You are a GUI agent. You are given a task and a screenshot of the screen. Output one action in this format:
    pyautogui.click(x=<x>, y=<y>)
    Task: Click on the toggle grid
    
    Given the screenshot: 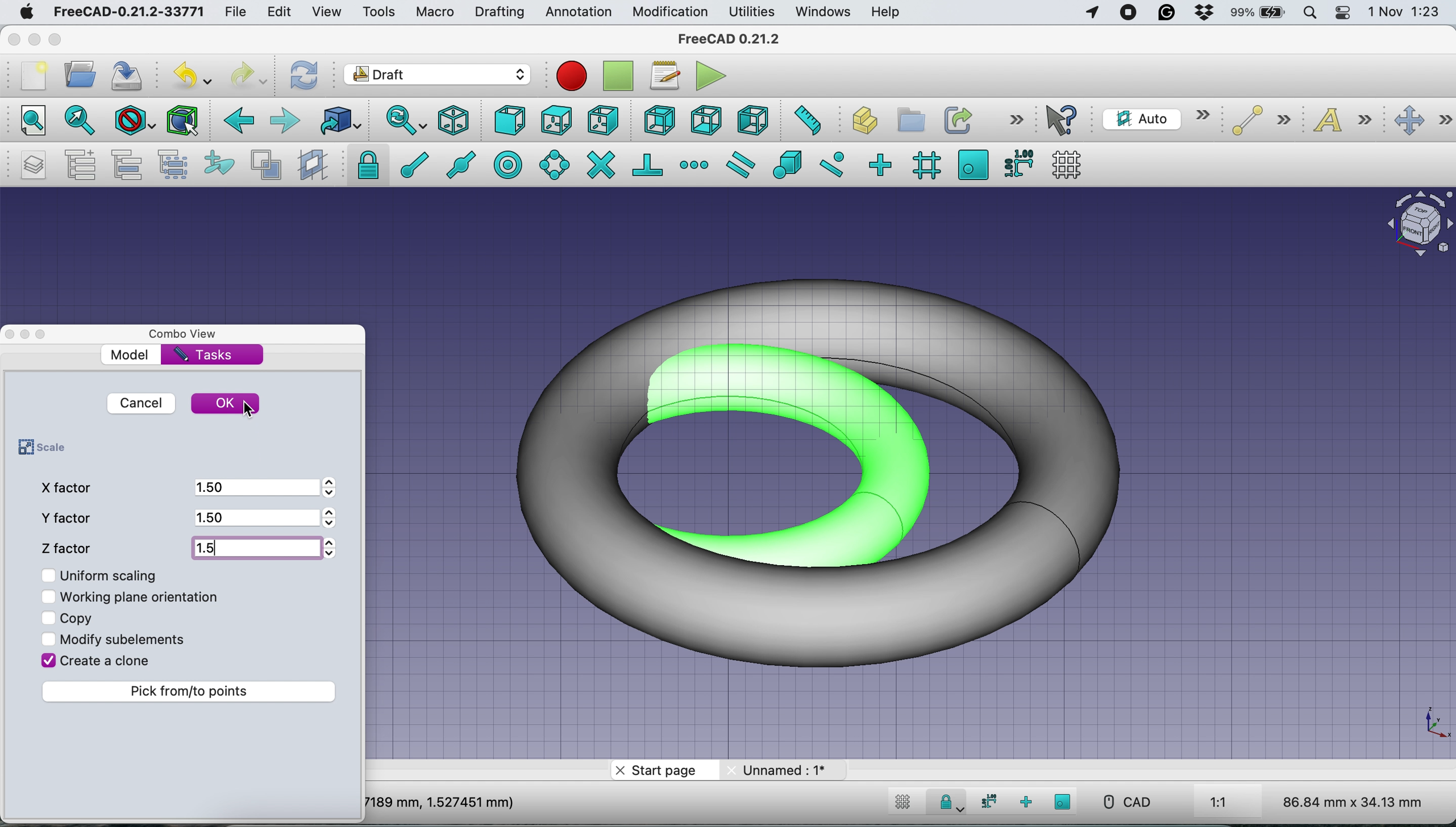 What is the action you would take?
    pyautogui.click(x=1071, y=164)
    